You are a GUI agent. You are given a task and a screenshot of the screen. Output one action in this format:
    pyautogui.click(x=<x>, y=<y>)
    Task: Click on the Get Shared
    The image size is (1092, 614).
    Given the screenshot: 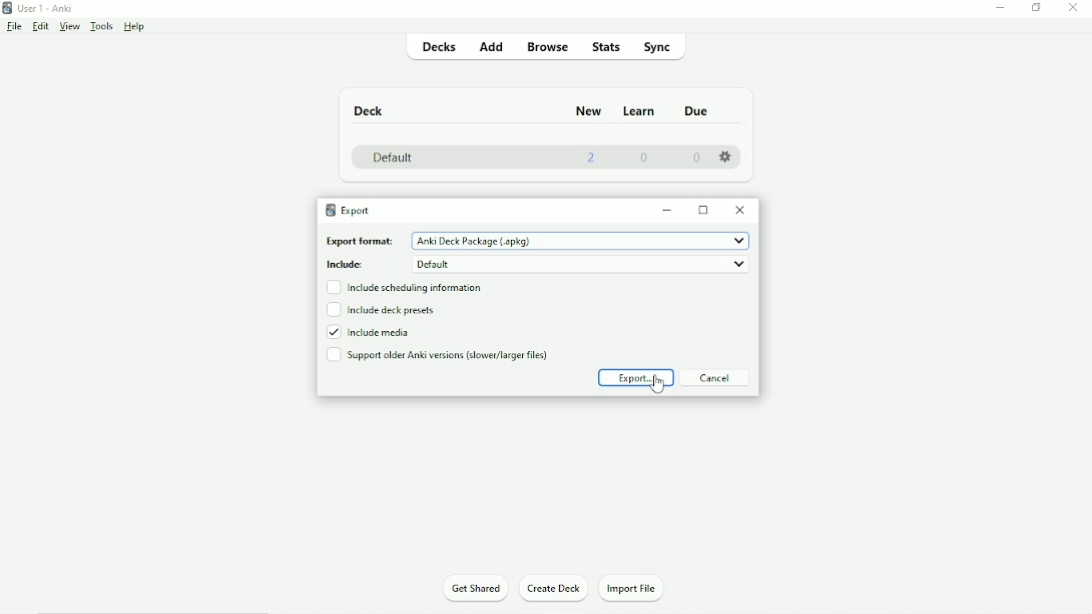 What is the action you would take?
    pyautogui.click(x=476, y=588)
    